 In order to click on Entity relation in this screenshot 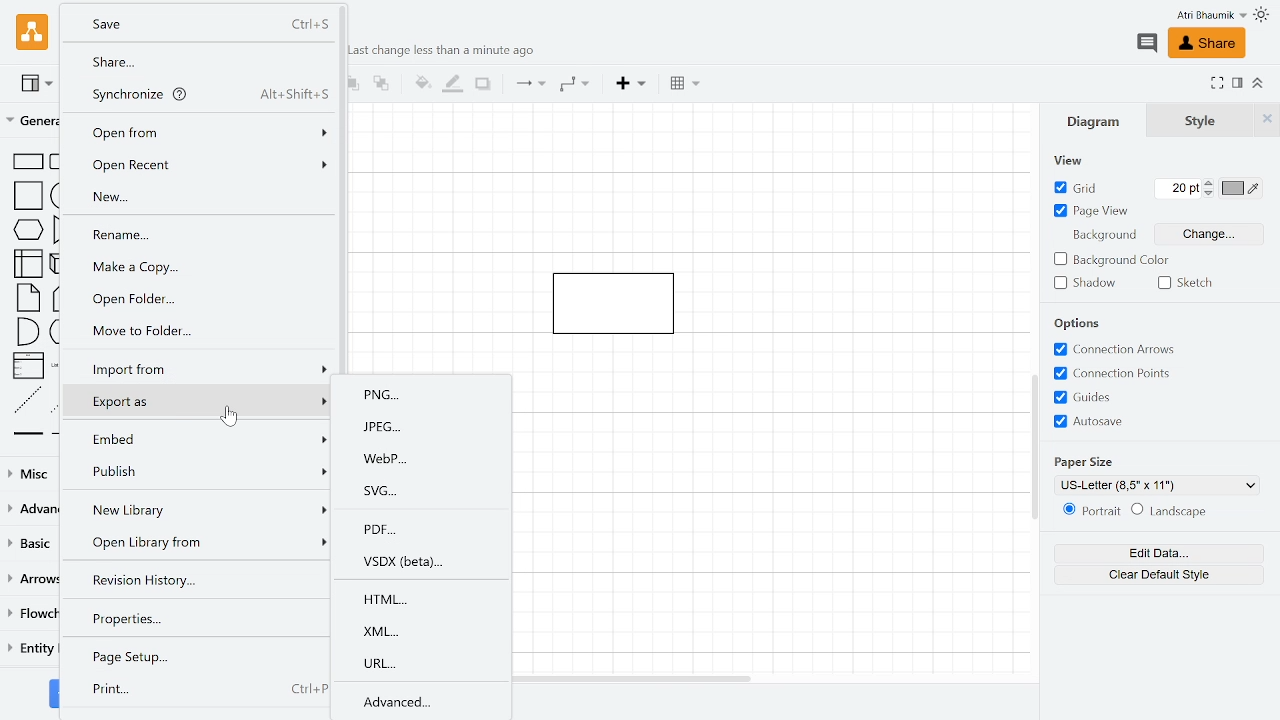, I will do `click(32, 652)`.